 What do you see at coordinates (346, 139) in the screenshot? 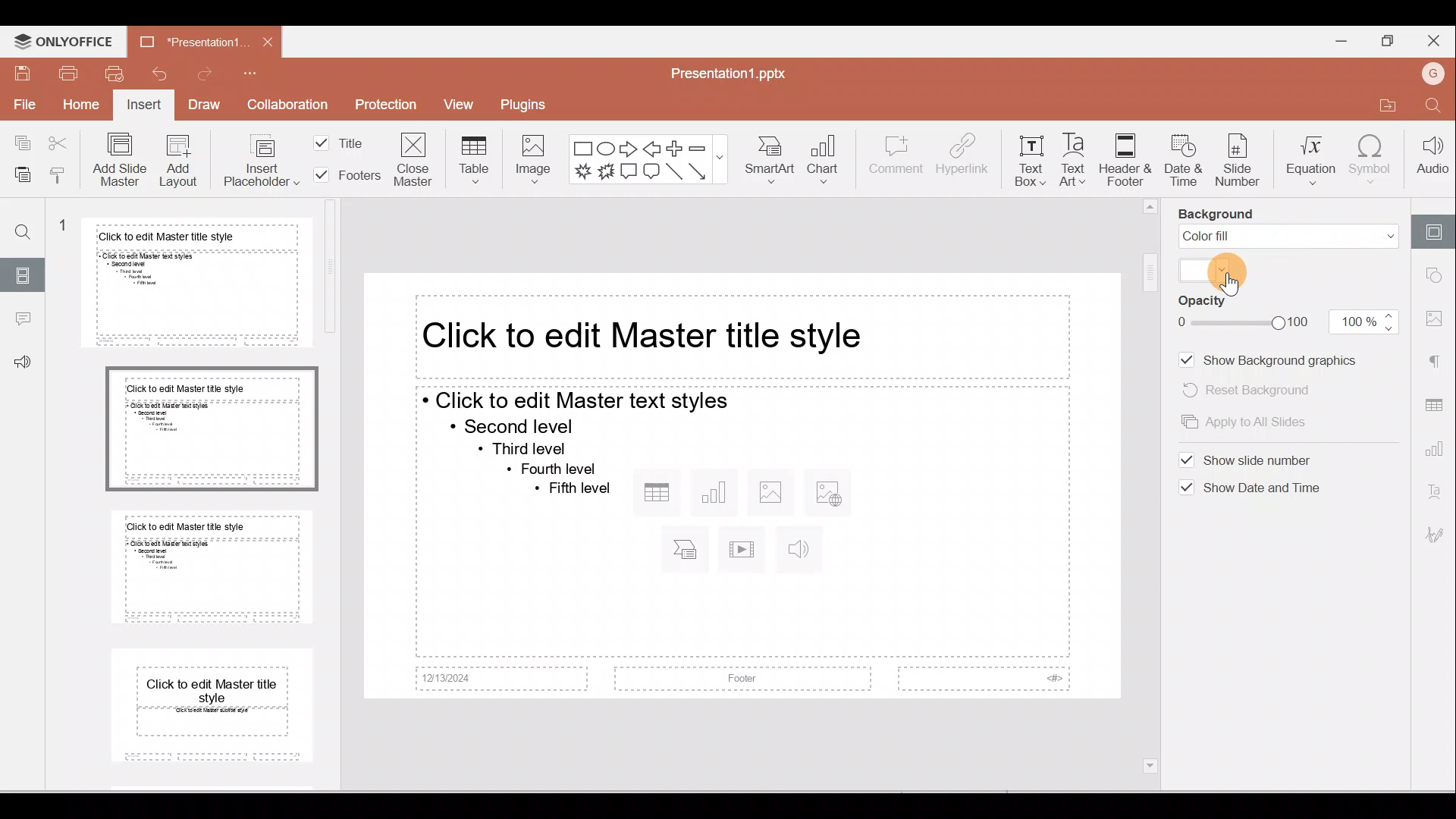
I see `Title` at bounding box center [346, 139].